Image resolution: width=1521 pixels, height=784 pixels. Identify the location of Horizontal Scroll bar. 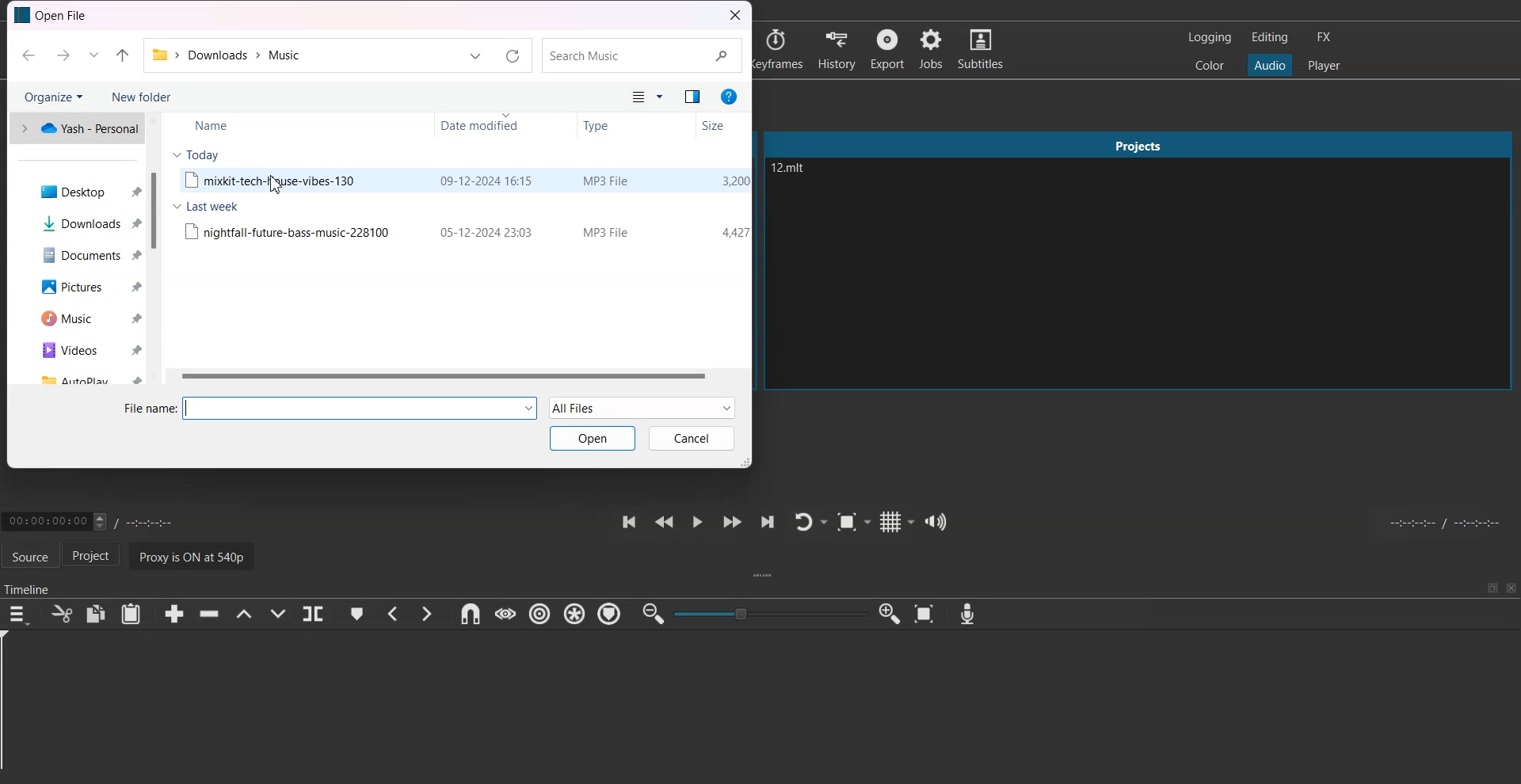
(456, 375).